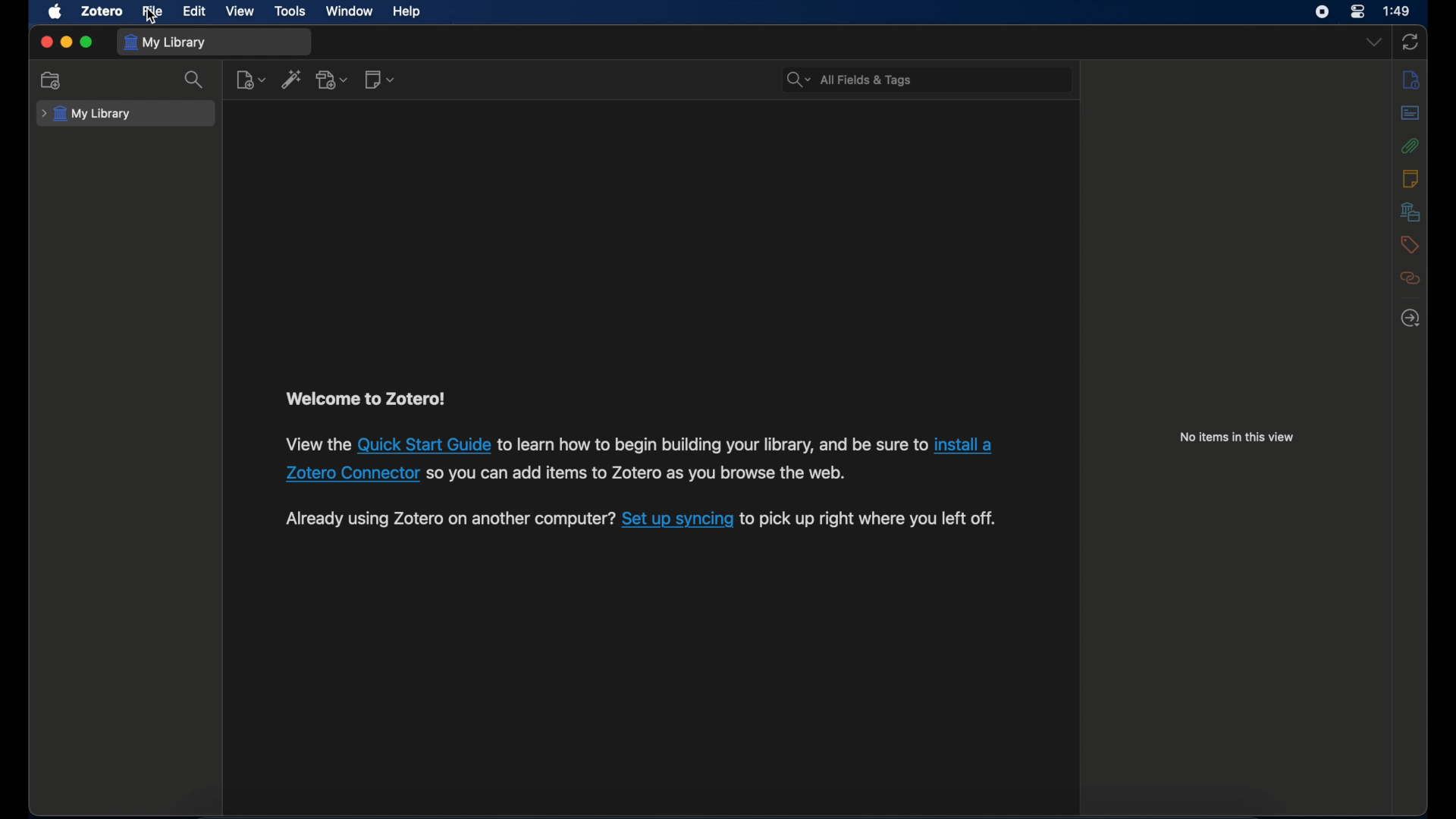  Describe the element at coordinates (1357, 12) in the screenshot. I see `control center` at that location.